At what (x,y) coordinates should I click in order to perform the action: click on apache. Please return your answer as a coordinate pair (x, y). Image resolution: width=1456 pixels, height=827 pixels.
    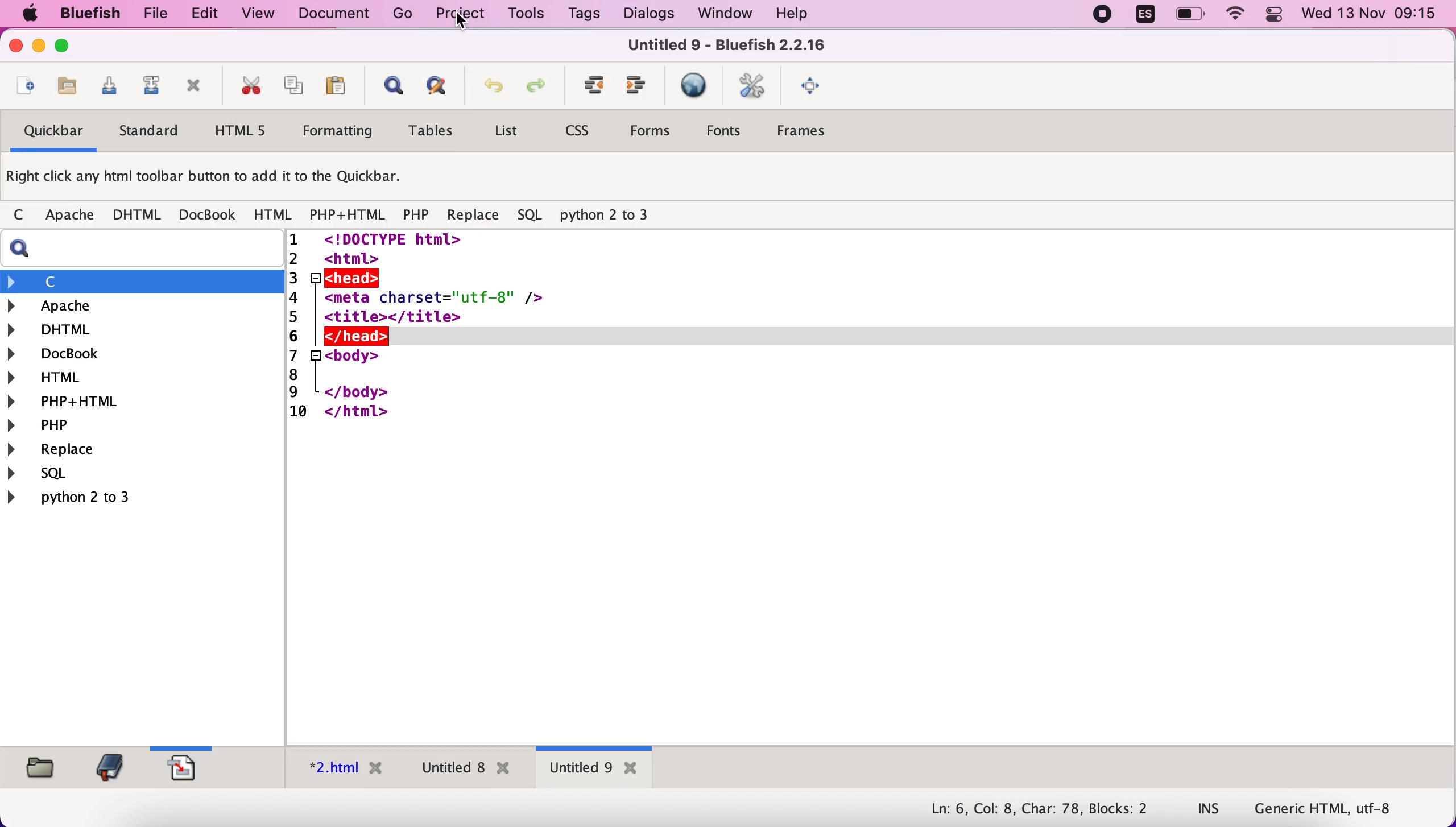
    Looking at the image, I should click on (67, 216).